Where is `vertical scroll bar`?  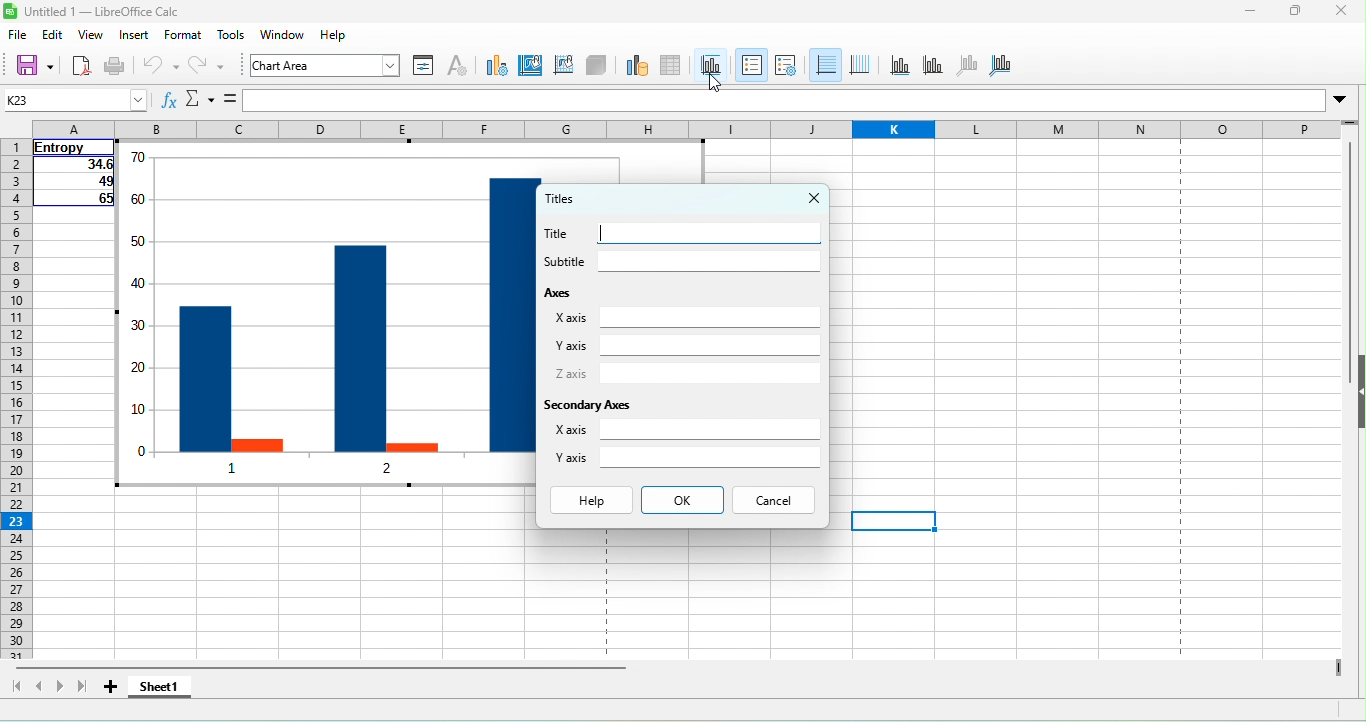
vertical scroll bar is located at coordinates (1349, 266).